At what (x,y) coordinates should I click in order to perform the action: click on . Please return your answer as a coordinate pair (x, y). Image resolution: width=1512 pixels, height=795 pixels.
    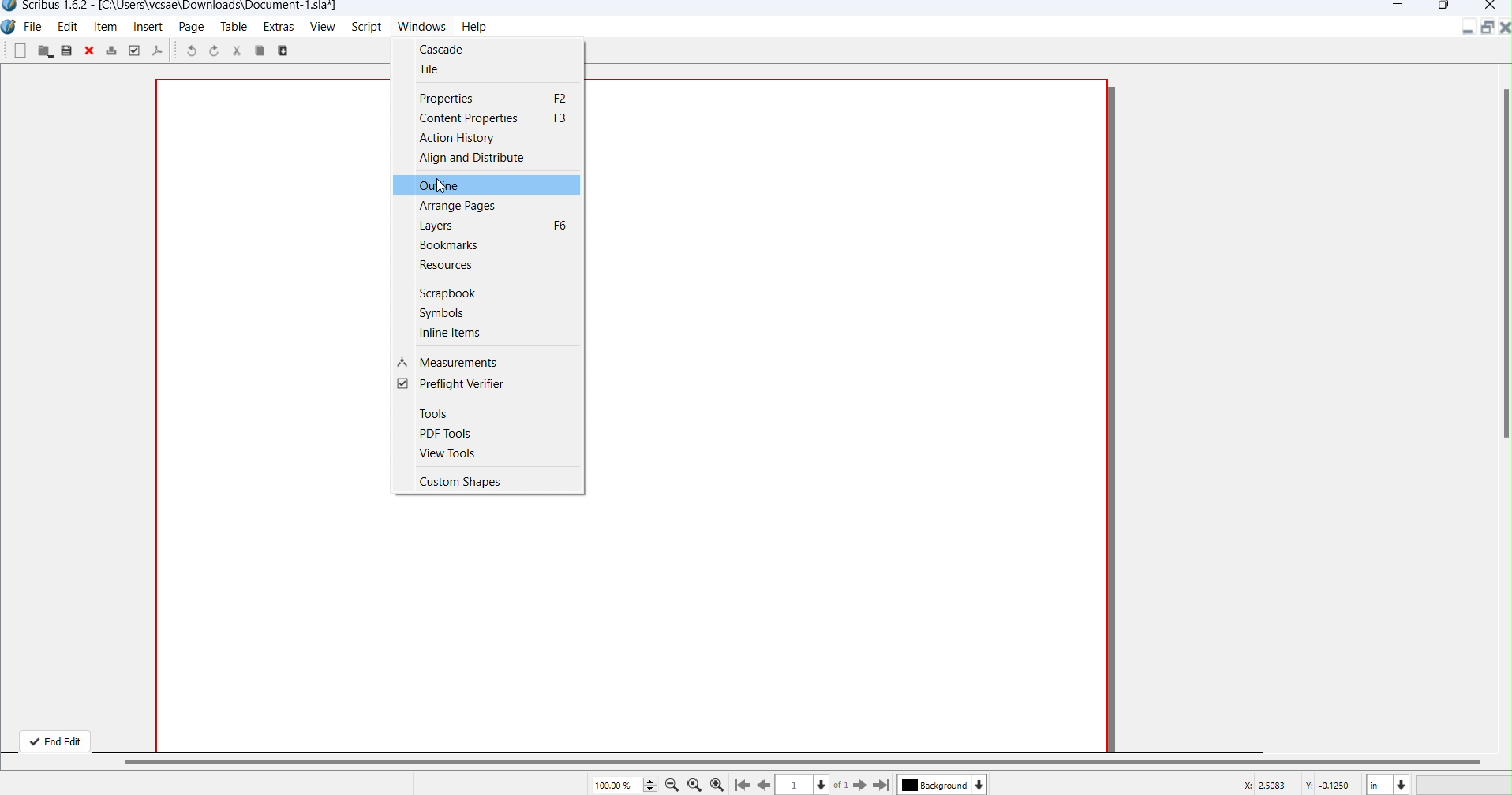
    Looking at the image, I should click on (201, 51).